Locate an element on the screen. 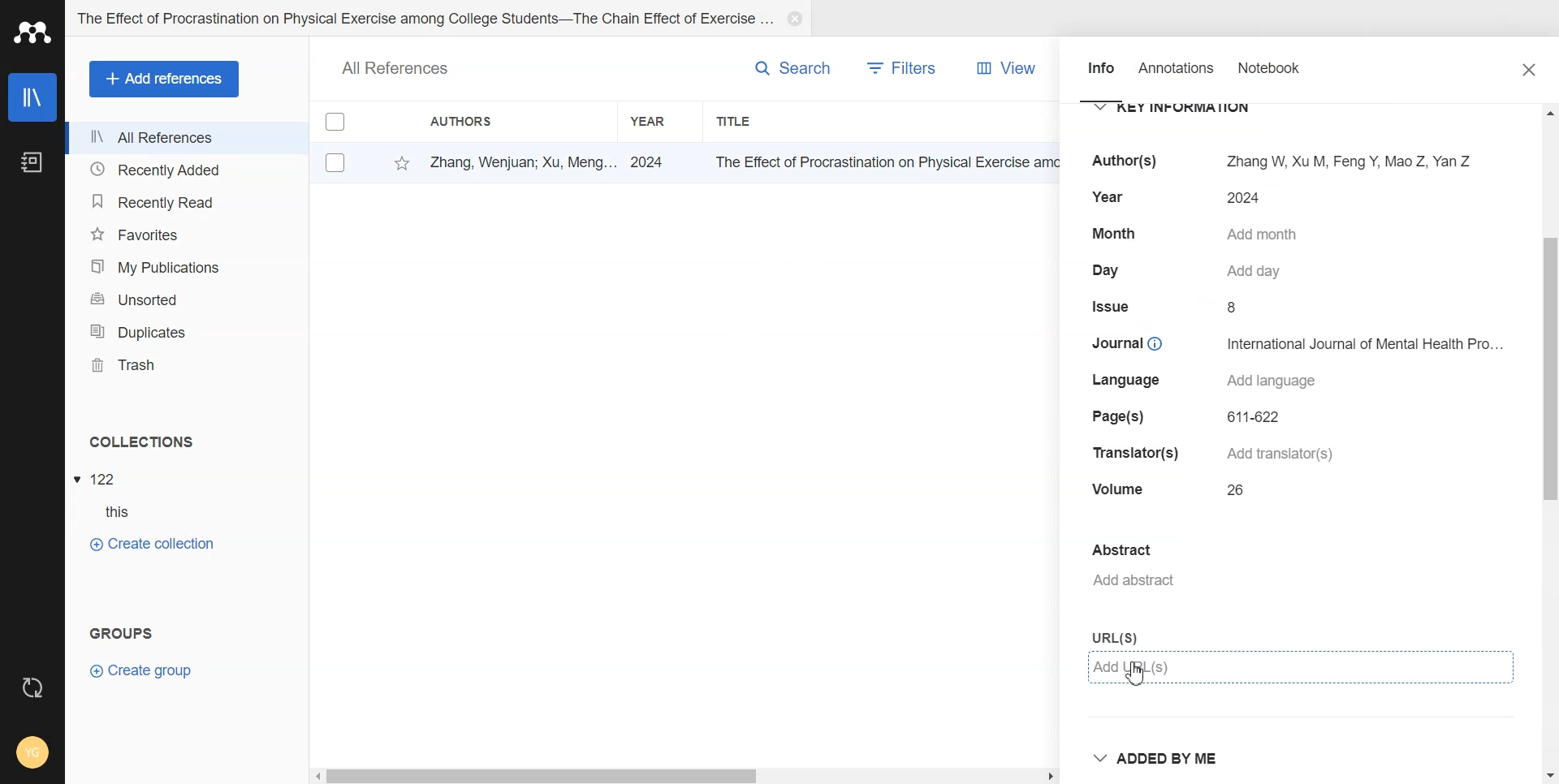 The width and height of the screenshot is (1559, 784). Key Information is located at coordinates (1183, 109).